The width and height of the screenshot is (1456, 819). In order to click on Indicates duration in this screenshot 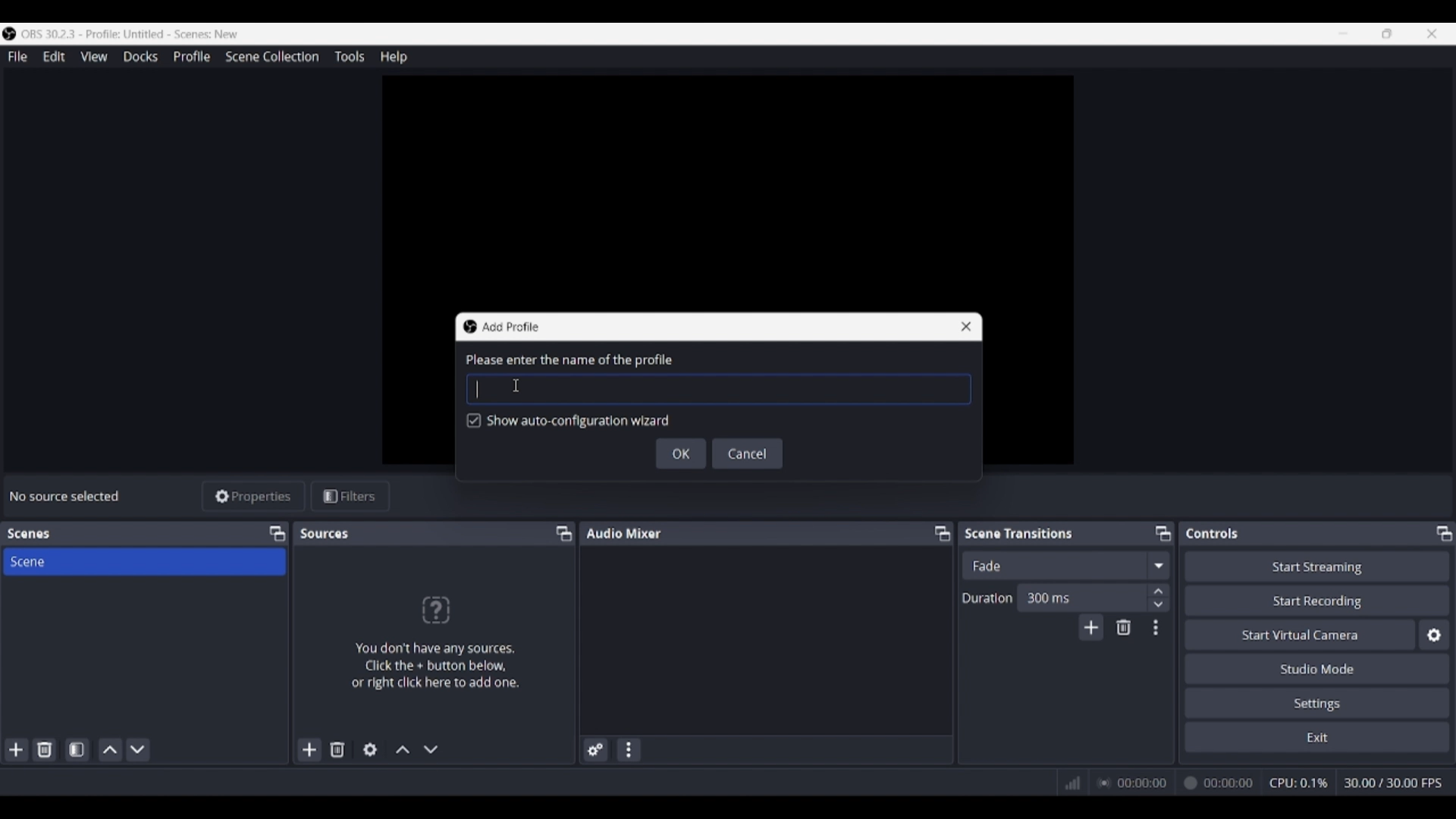, I will do `click(987, 598)`.